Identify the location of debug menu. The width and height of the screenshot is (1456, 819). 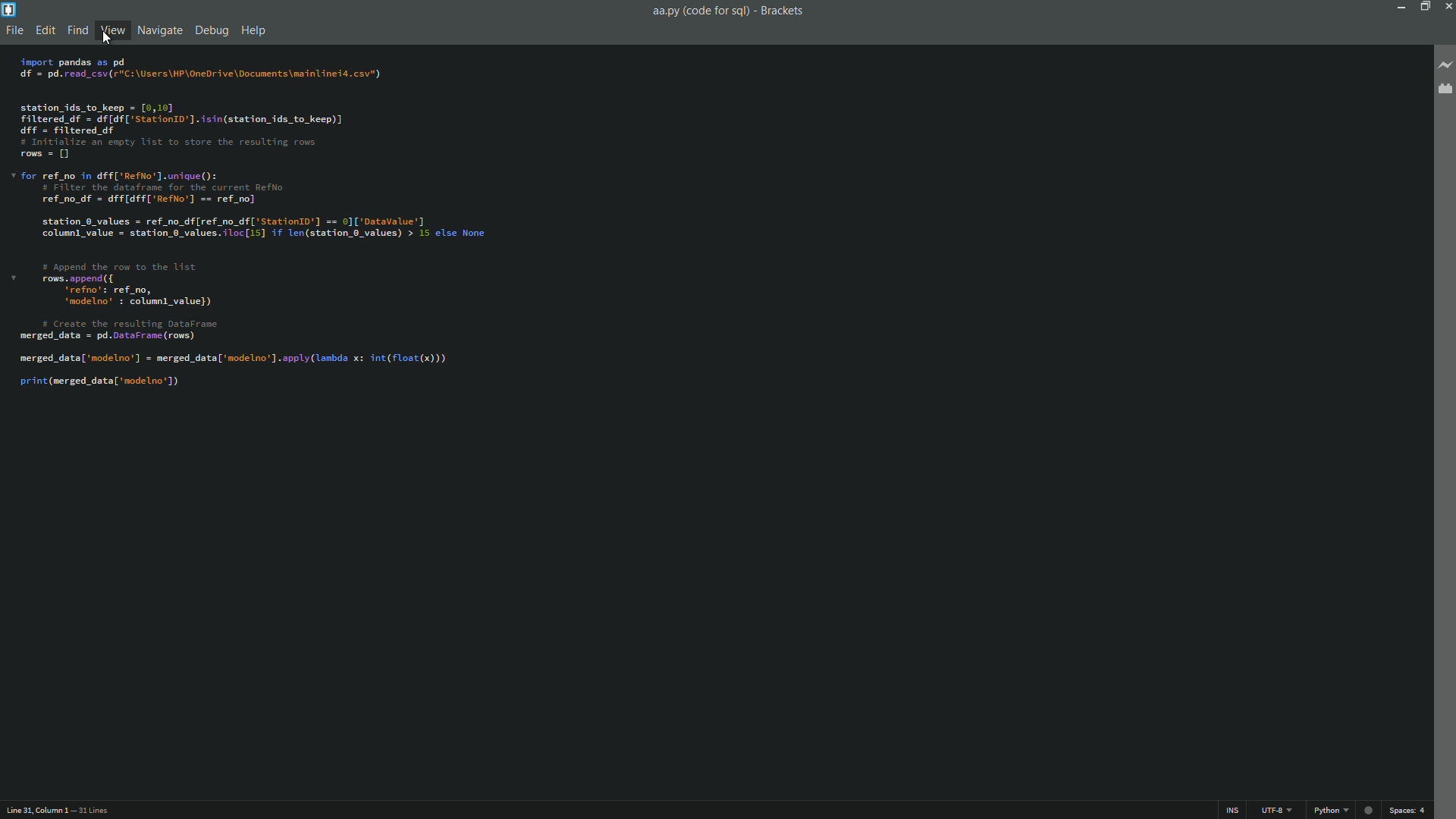
(212, 31).